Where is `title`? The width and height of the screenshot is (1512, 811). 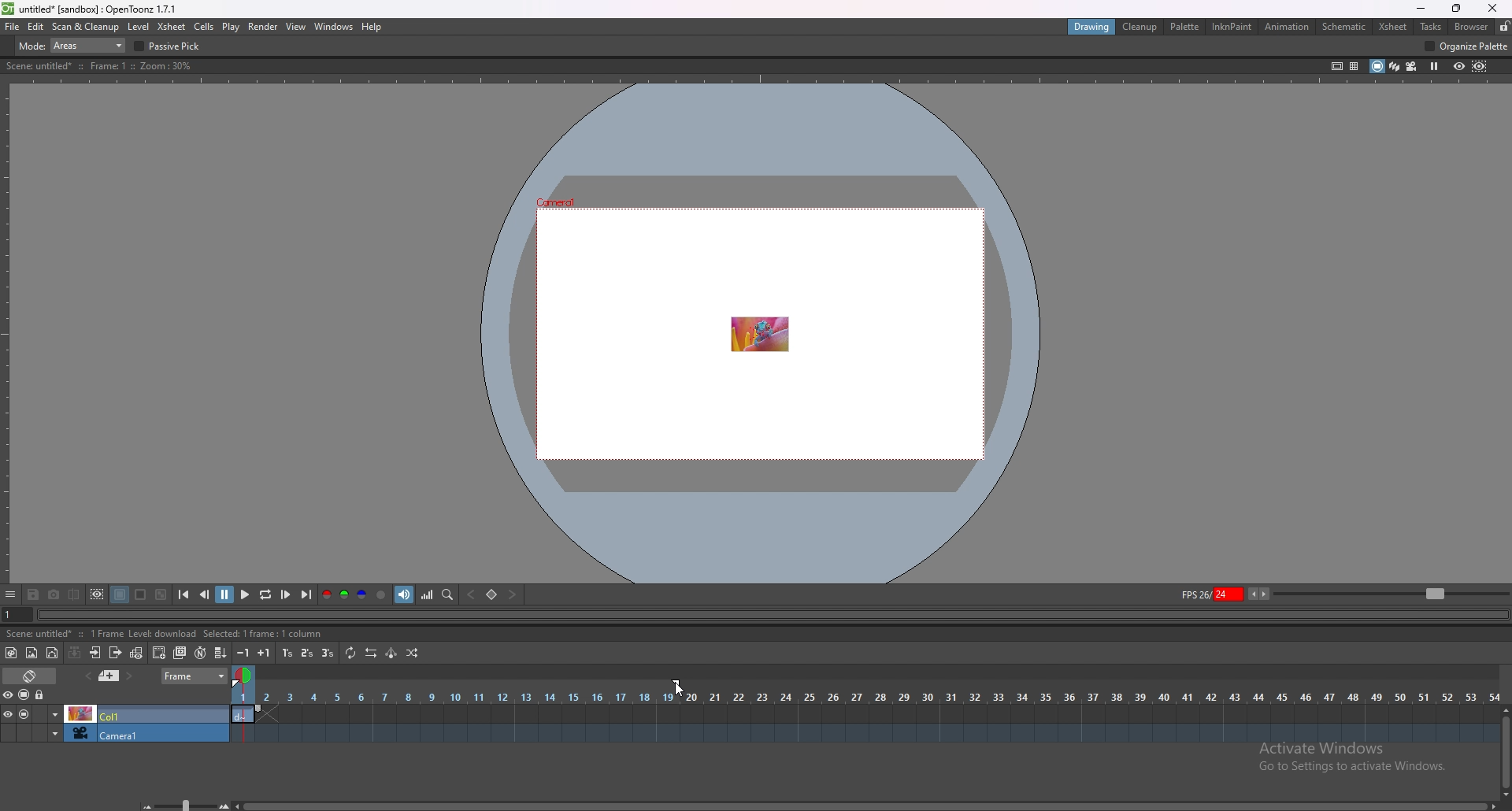
title is located at coordinates (92, 9).